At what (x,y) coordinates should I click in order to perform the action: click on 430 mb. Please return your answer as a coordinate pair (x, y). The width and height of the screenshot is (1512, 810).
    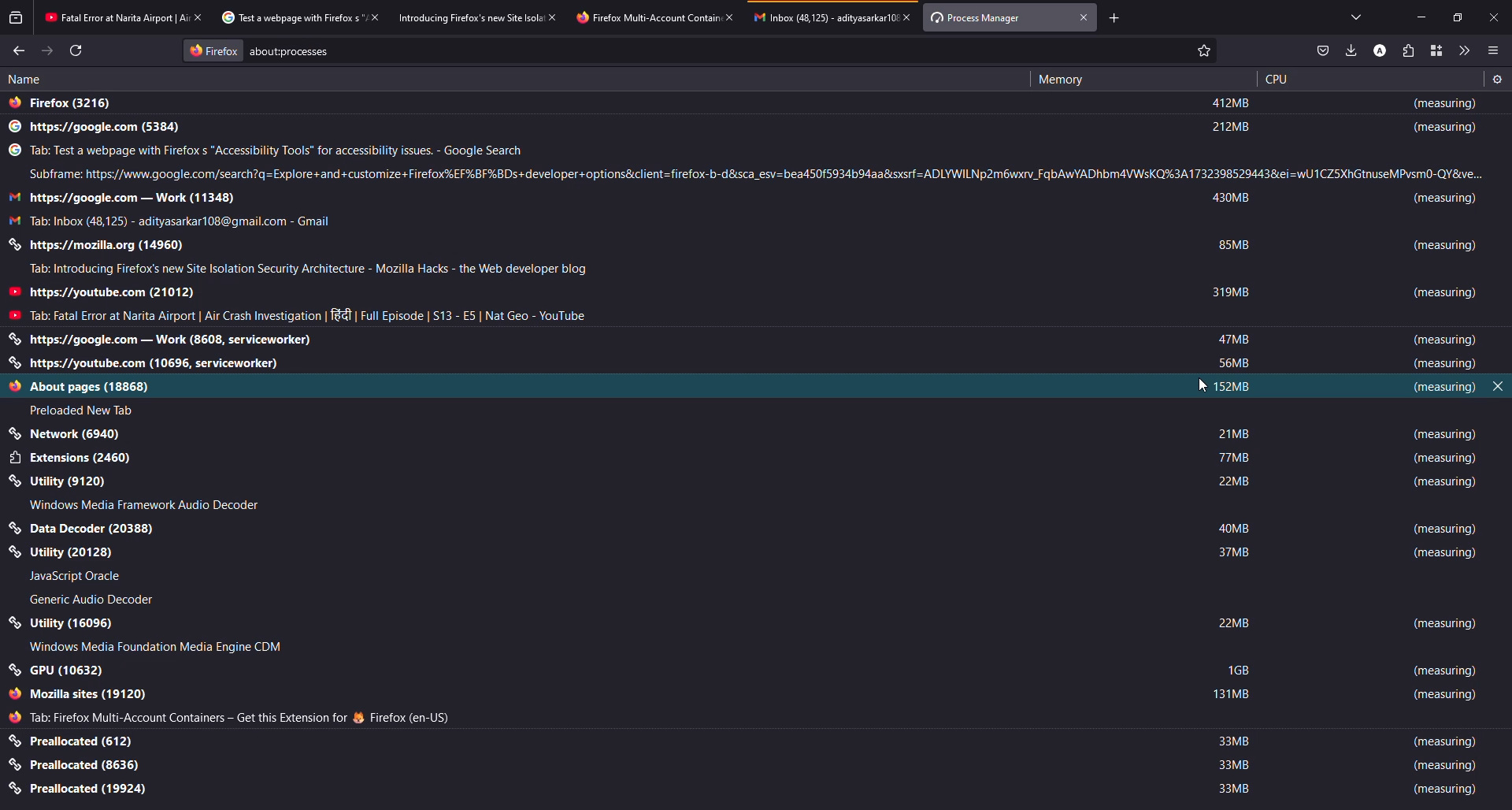
    Looking at the image, I should click on (1232, 197).